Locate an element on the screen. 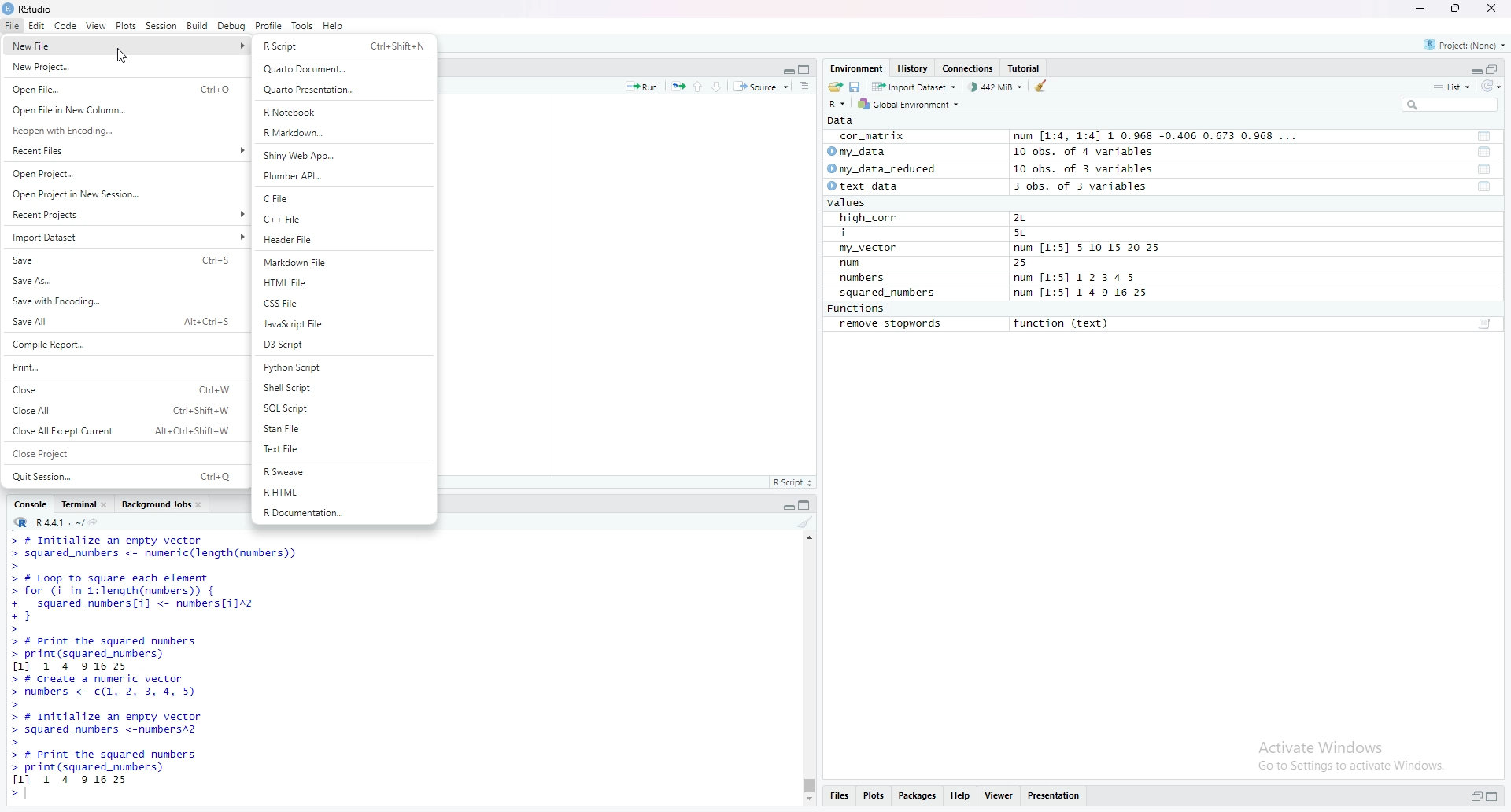 The width and height of the screenshot is (1511, 812). num is located at coordinates (854, 264).